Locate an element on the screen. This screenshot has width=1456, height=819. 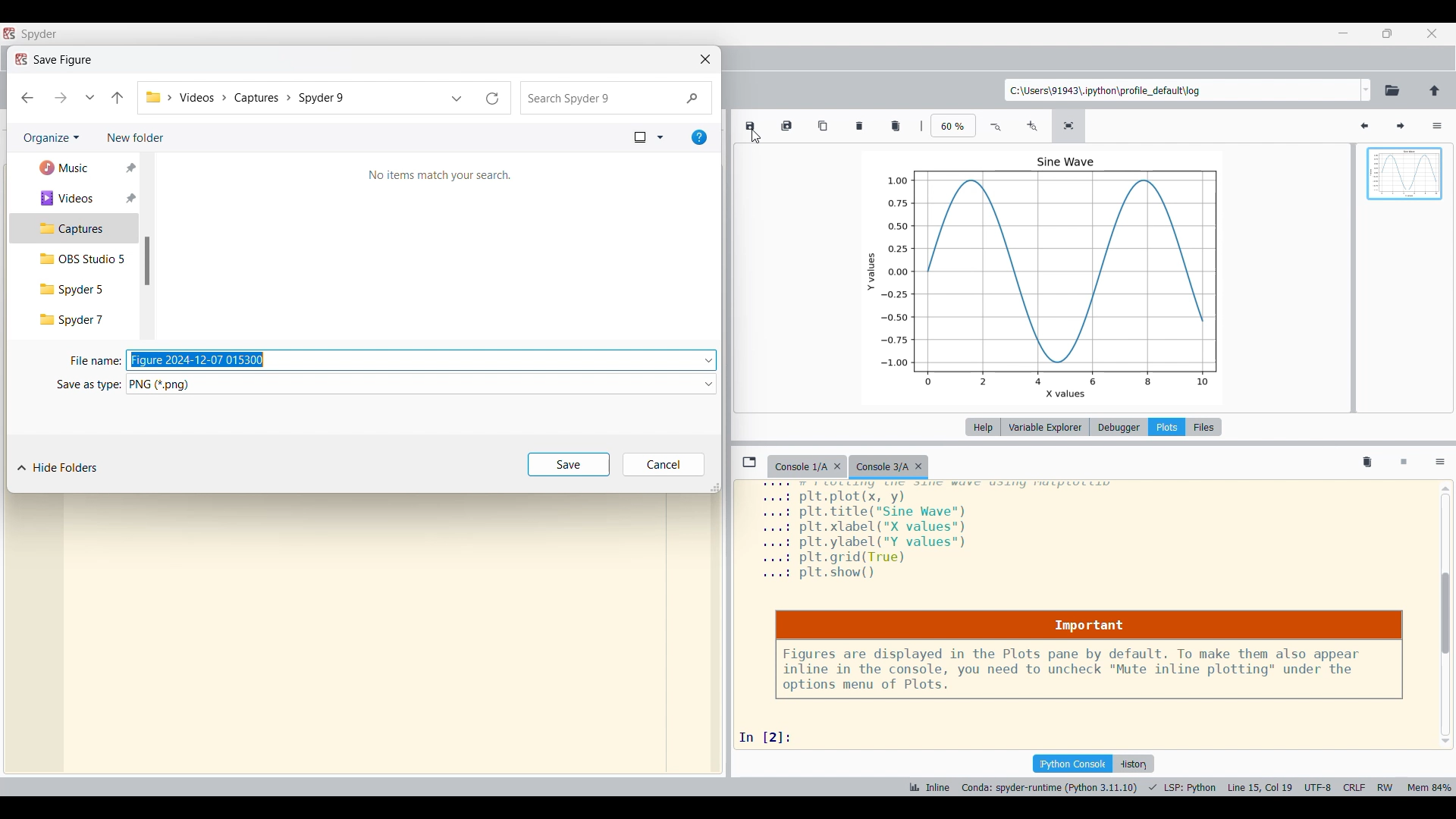
UTF-8 is located at coordinates (1318, 786).